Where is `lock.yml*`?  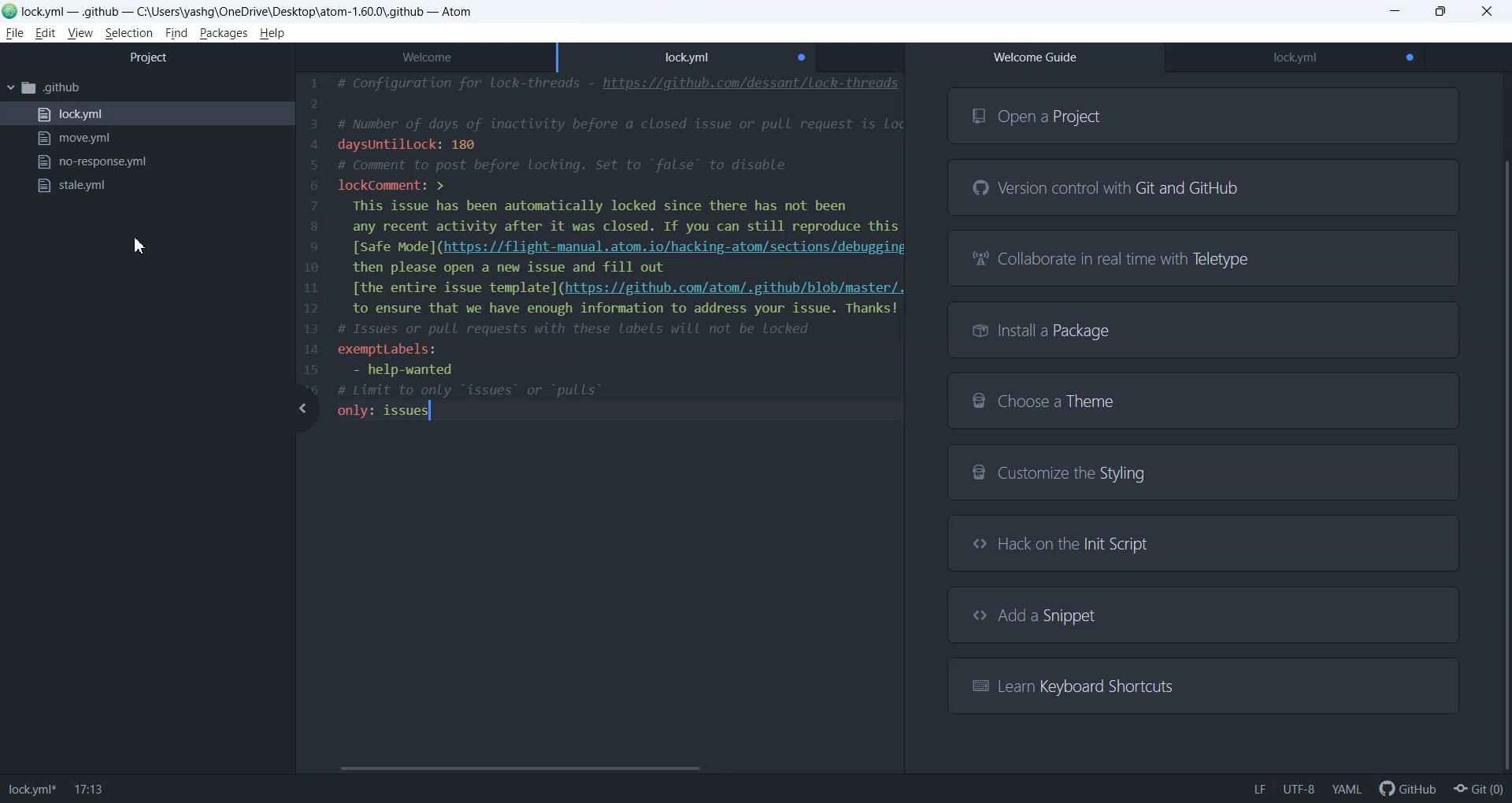
lock.yml* is located at coordinates (31, 790).